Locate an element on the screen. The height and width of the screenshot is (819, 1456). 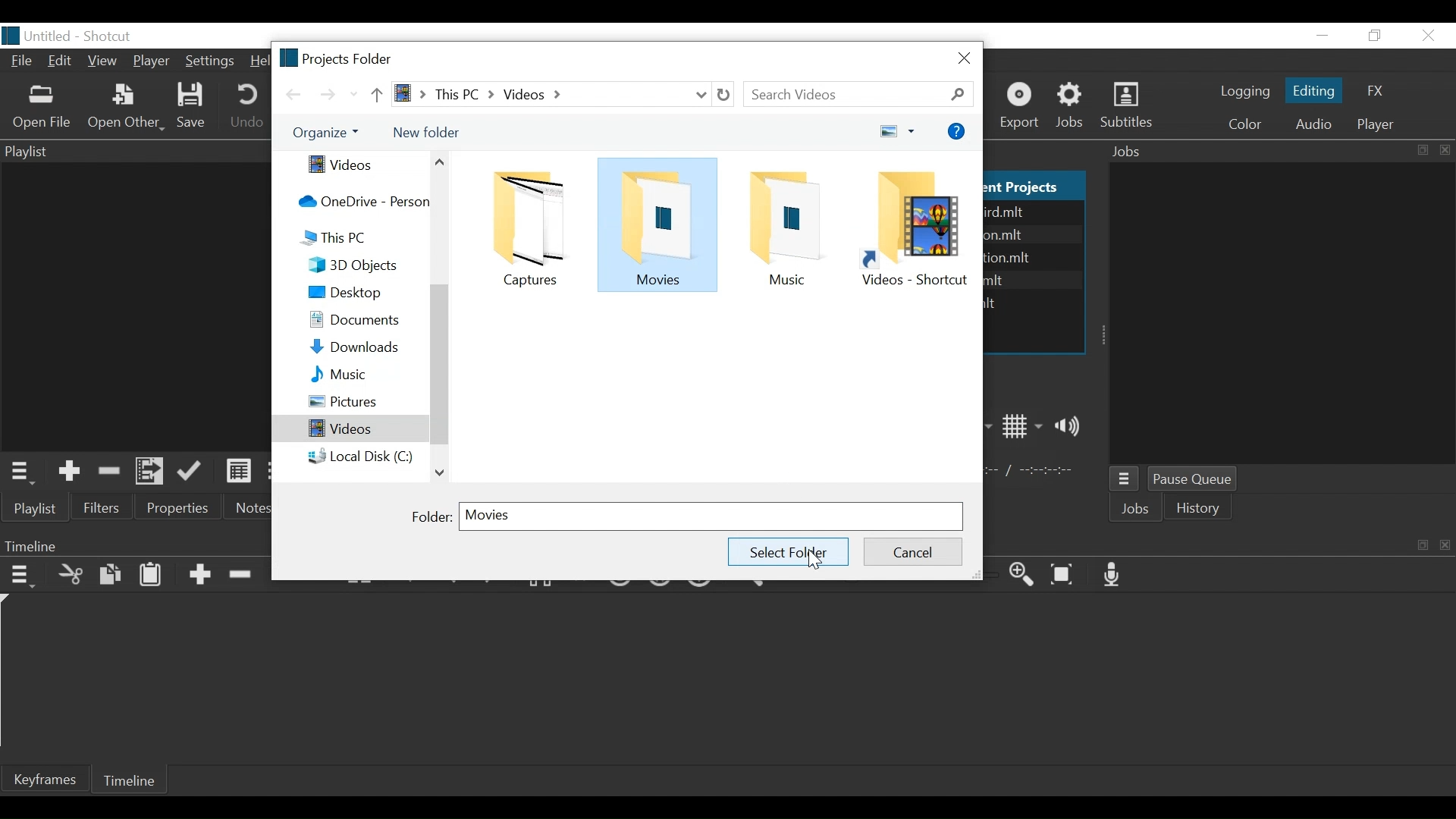
Folder is located at coordinates (431, 518).